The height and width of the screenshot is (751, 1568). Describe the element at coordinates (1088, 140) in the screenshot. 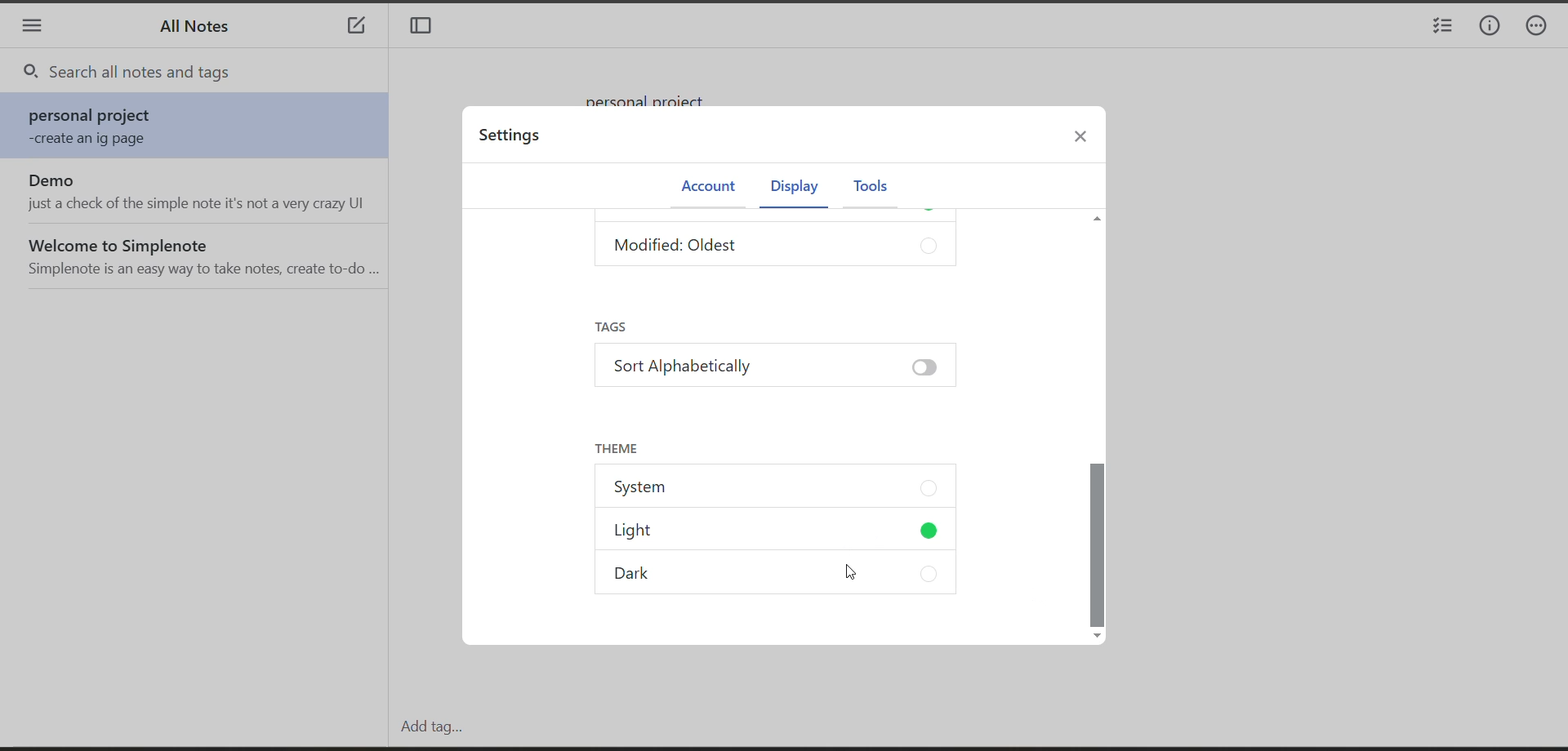

I see `close` at that location.